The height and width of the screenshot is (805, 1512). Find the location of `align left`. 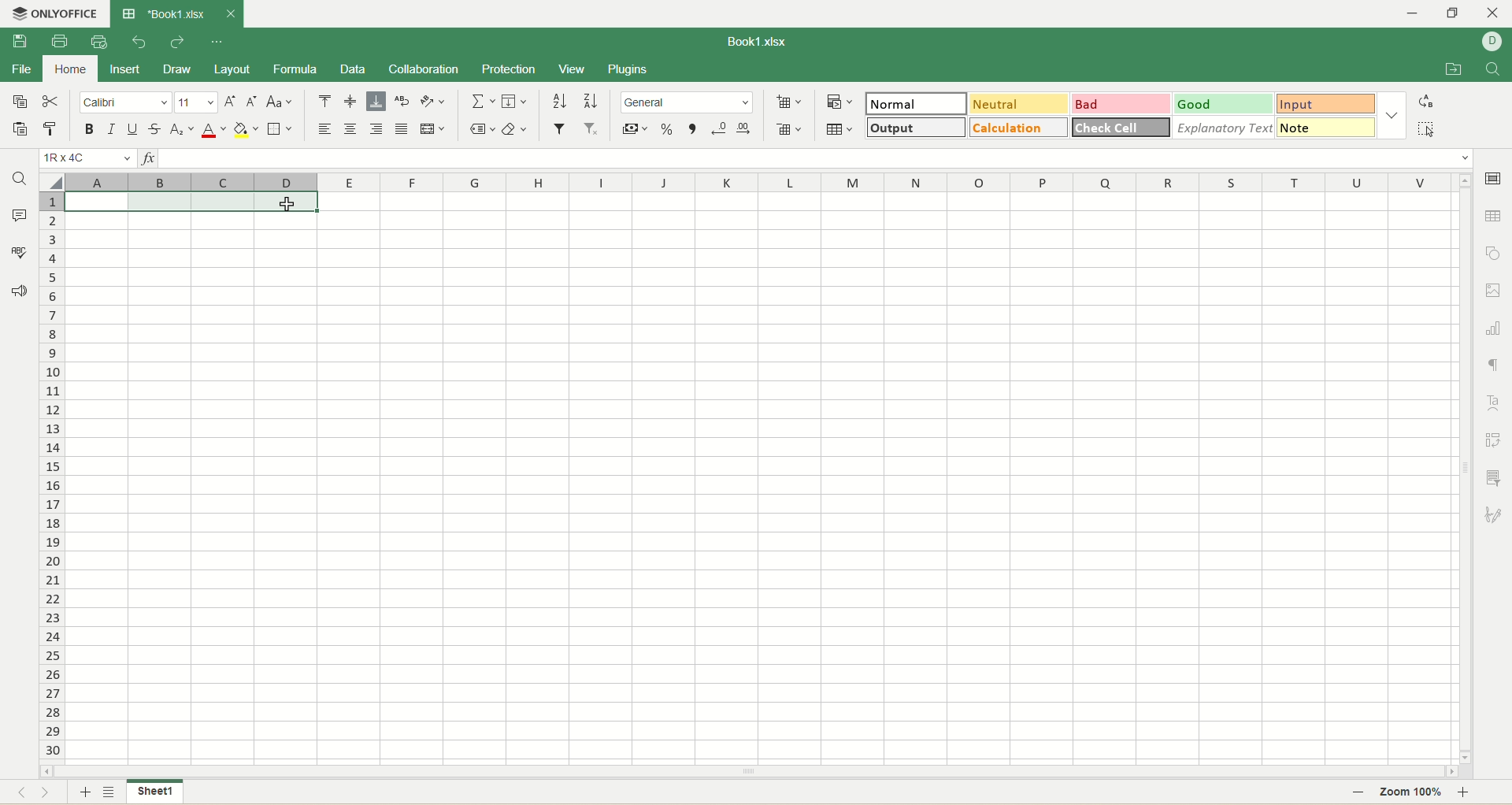

align left is located at coordinates (325, 130).